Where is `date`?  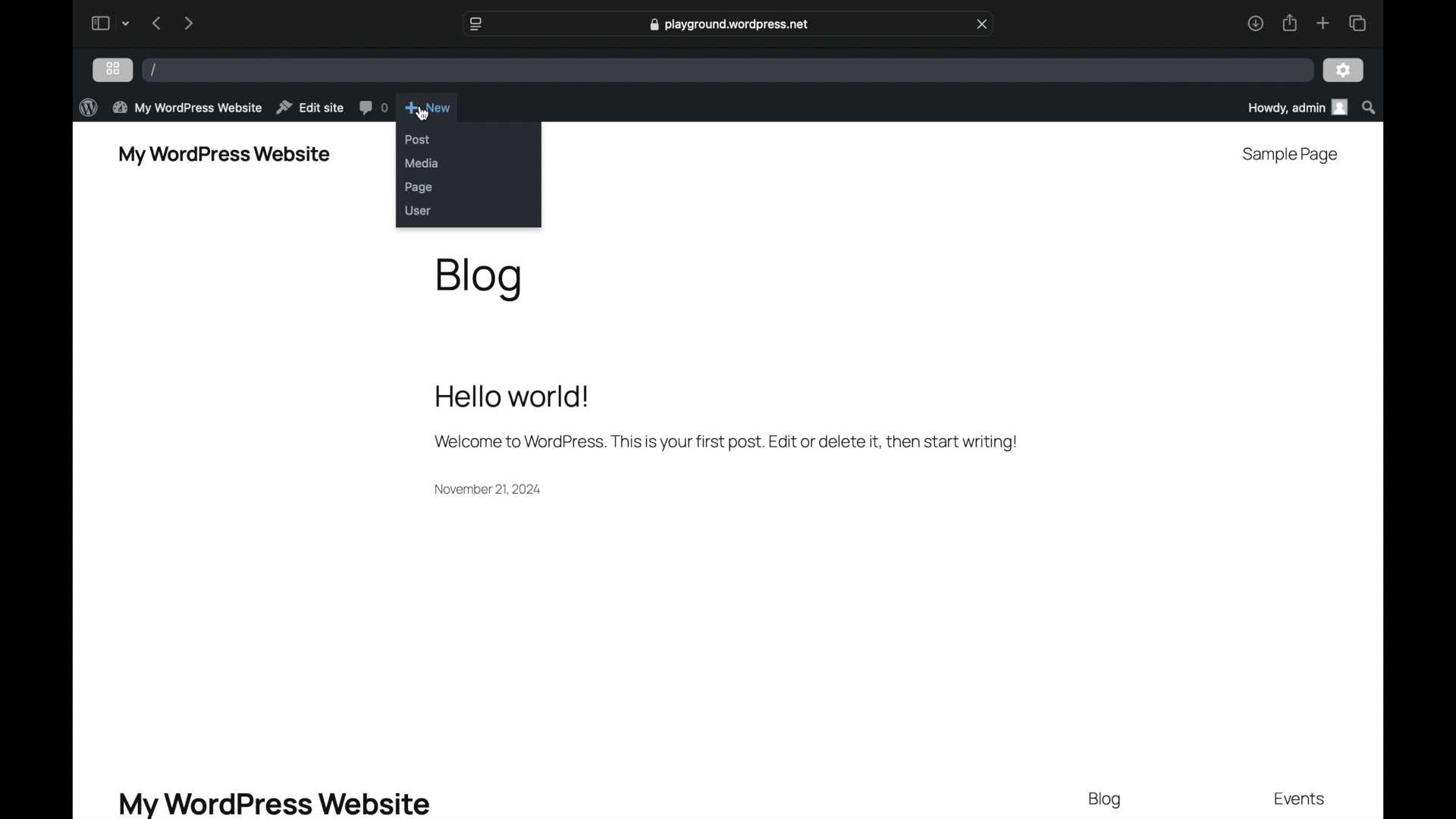
date is located at coordinates (488, 489).